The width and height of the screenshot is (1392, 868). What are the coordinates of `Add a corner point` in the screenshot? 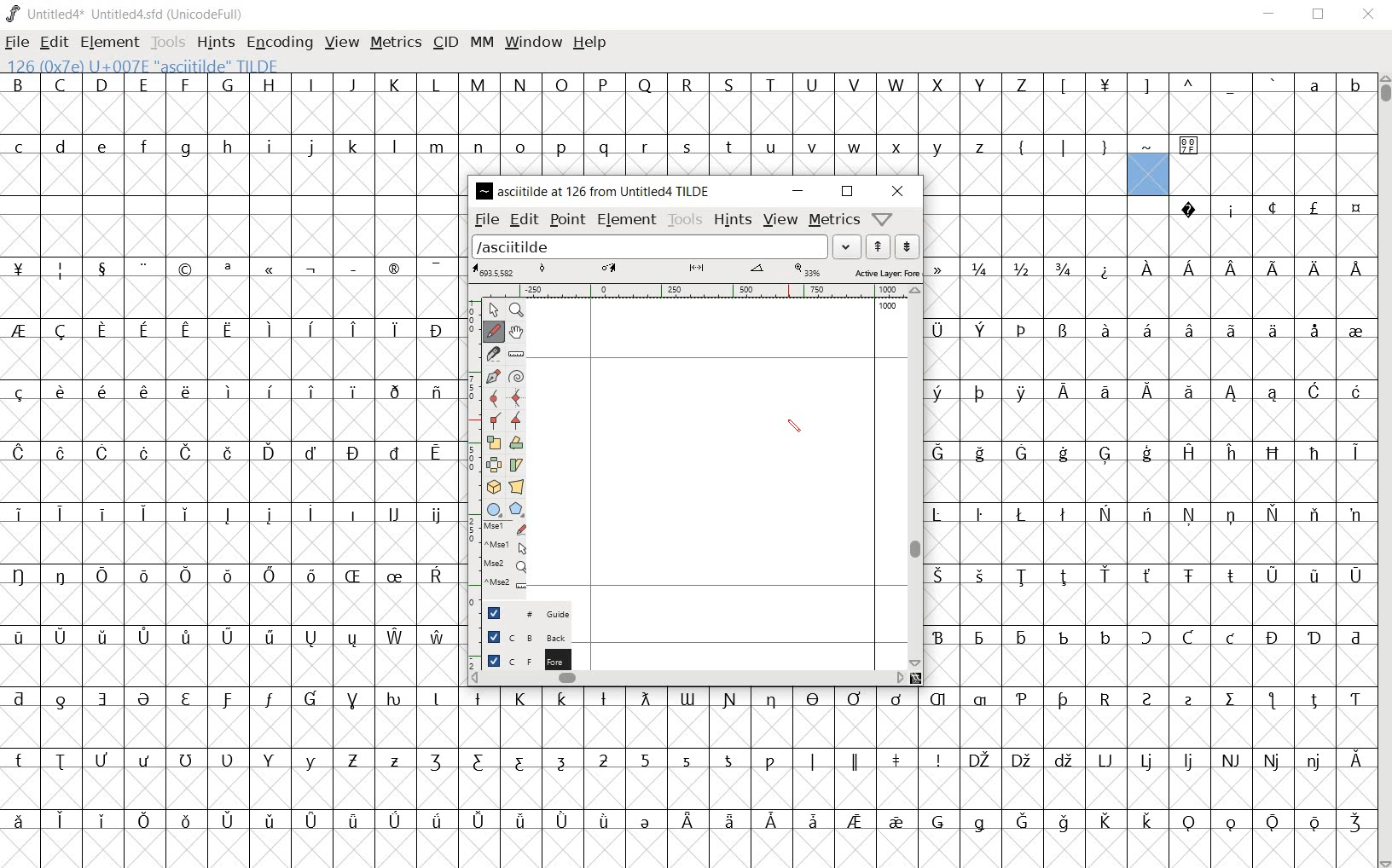 It's located at (515, 421).